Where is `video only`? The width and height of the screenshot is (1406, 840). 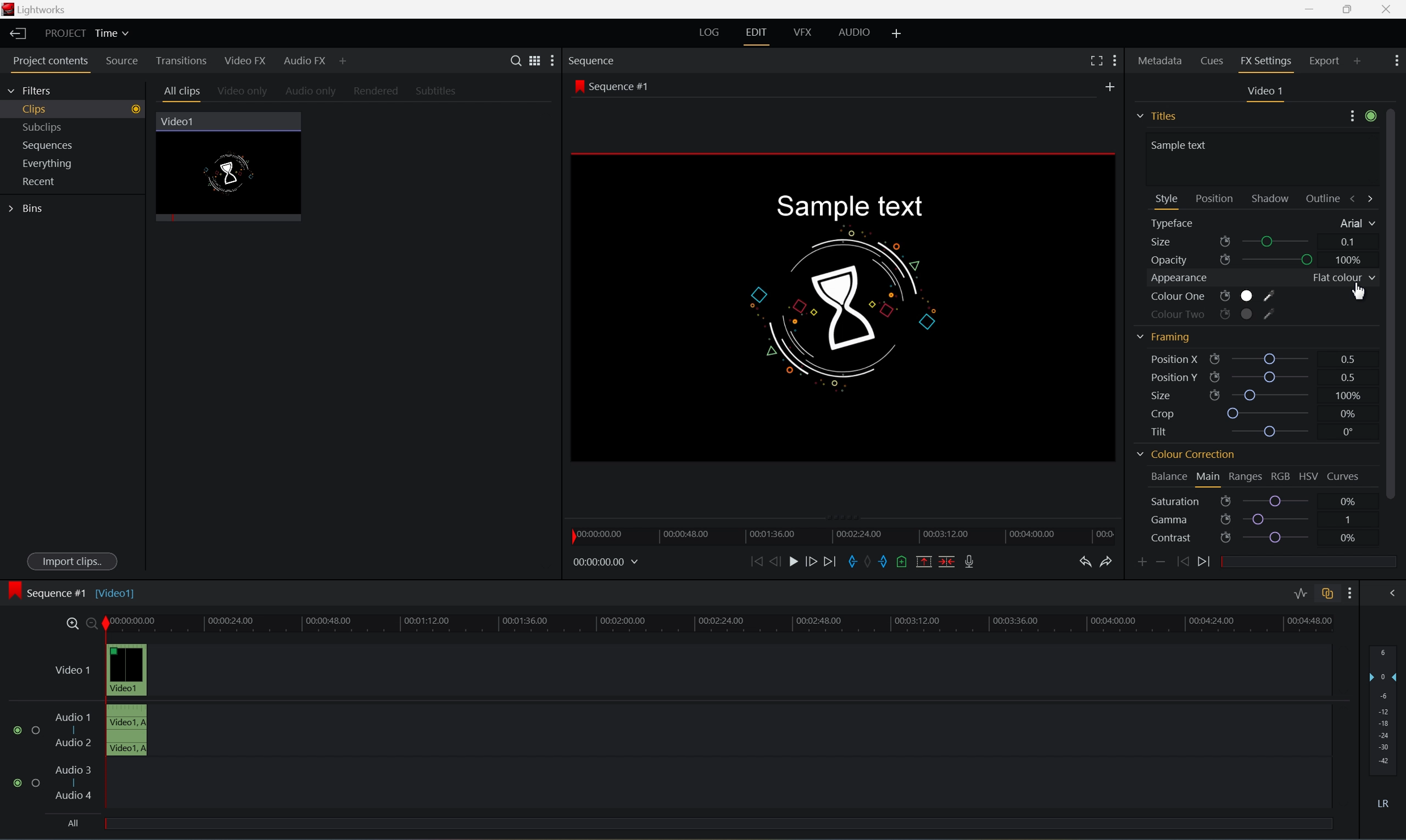
video only is located at coordinates (243, 92).